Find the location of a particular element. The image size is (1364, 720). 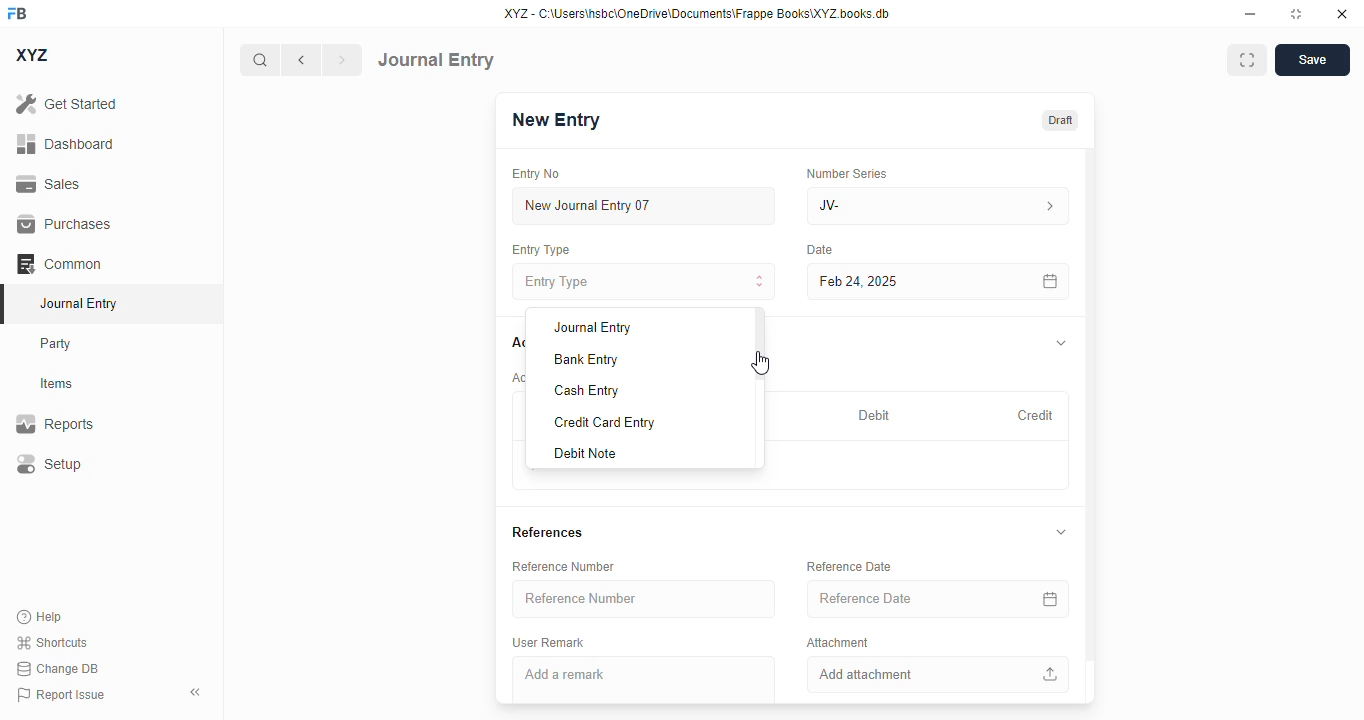

calendar icon is located at coordinates (1049, 599).